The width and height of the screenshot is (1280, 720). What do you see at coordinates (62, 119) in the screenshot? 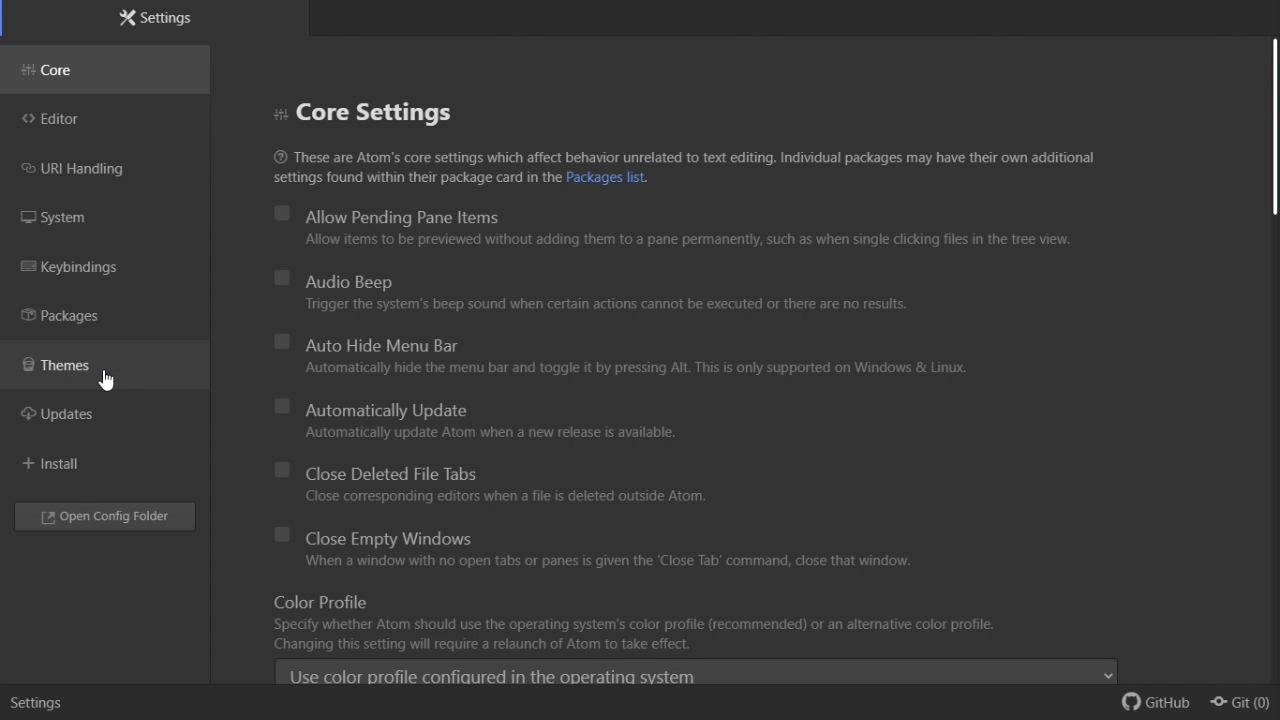
I see `editor` at bounding box center [62, 119].